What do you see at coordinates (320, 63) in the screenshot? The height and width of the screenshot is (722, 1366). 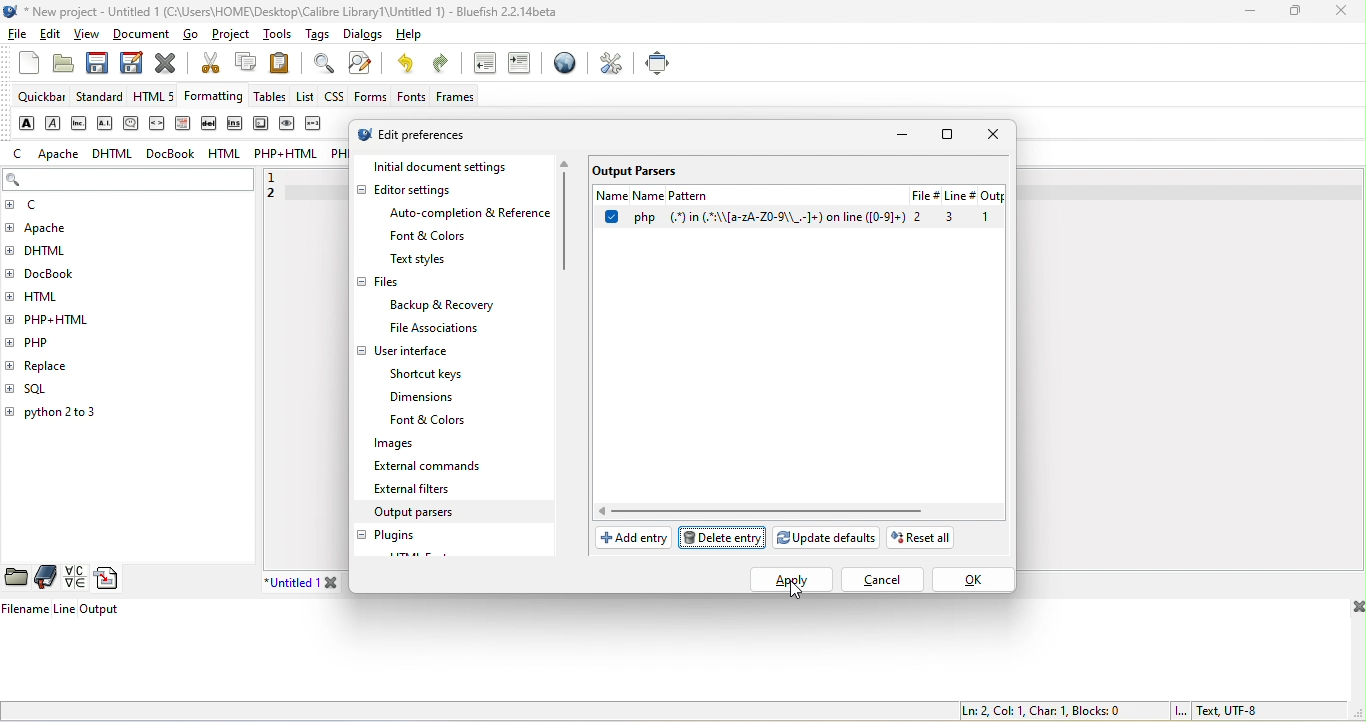 I see `find` at bounding box center [320, 63].